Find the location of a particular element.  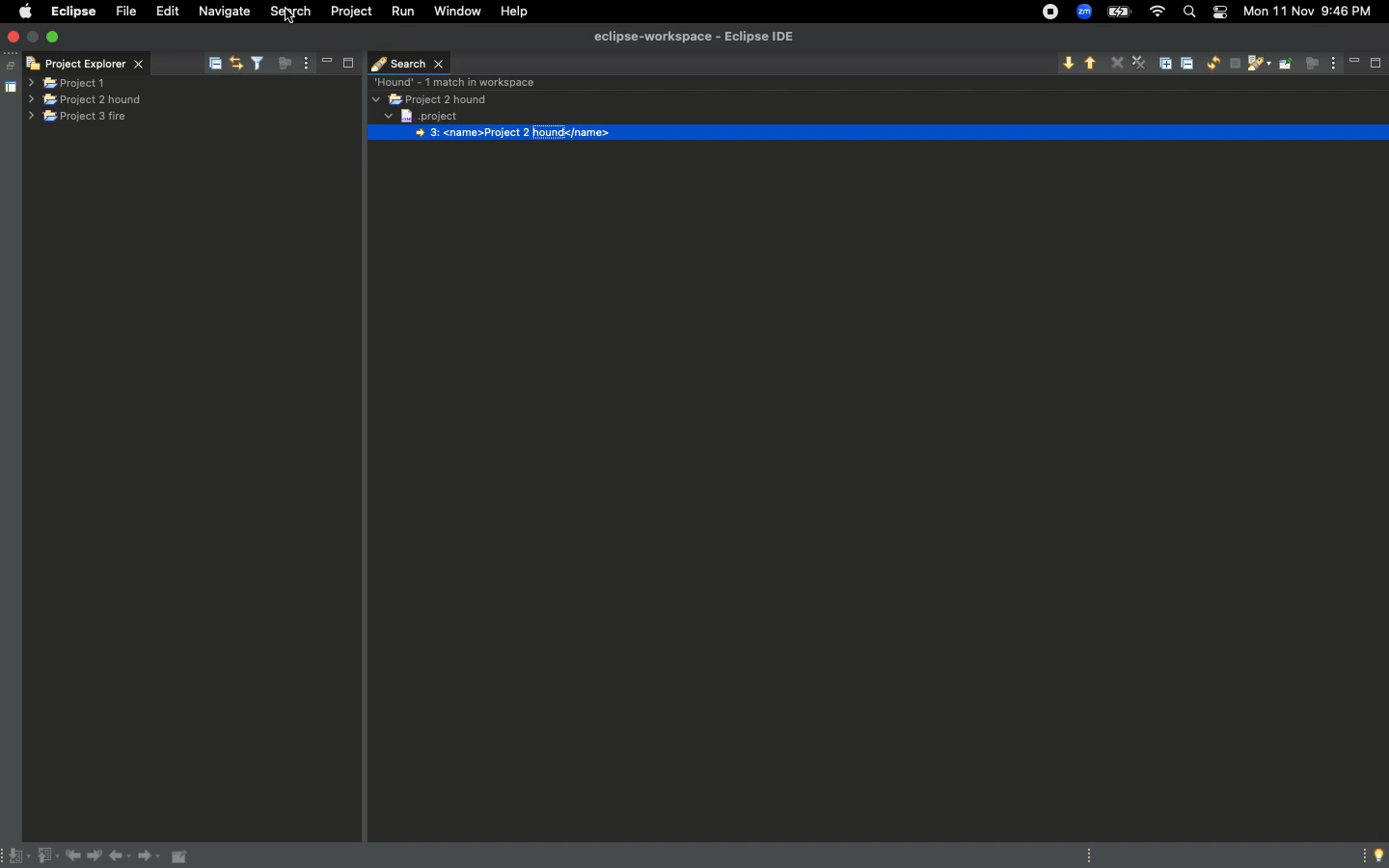

Project is located at coordinates (437, 115).